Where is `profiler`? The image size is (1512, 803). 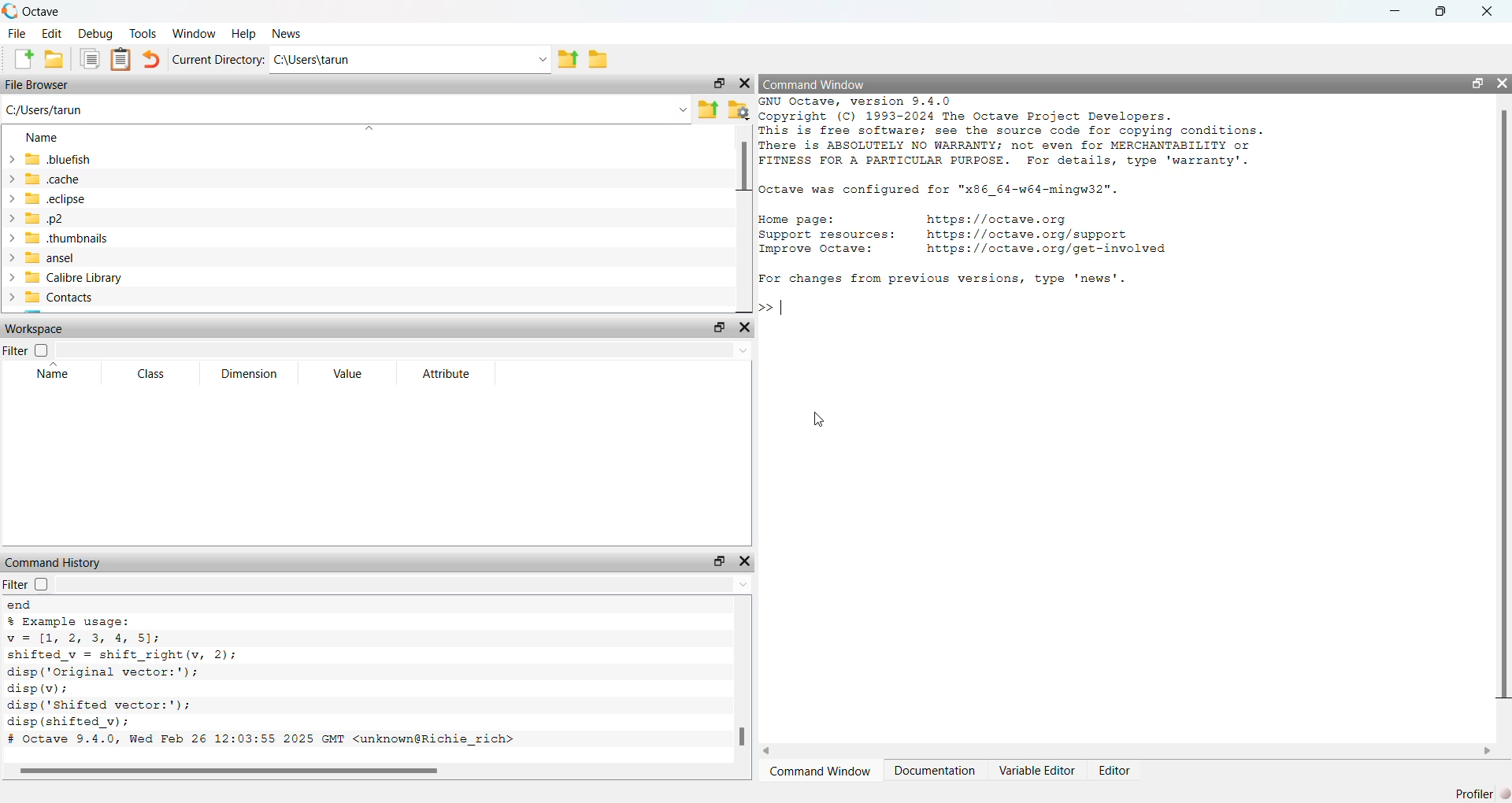 profiler is located at coordinates (1477, 792).